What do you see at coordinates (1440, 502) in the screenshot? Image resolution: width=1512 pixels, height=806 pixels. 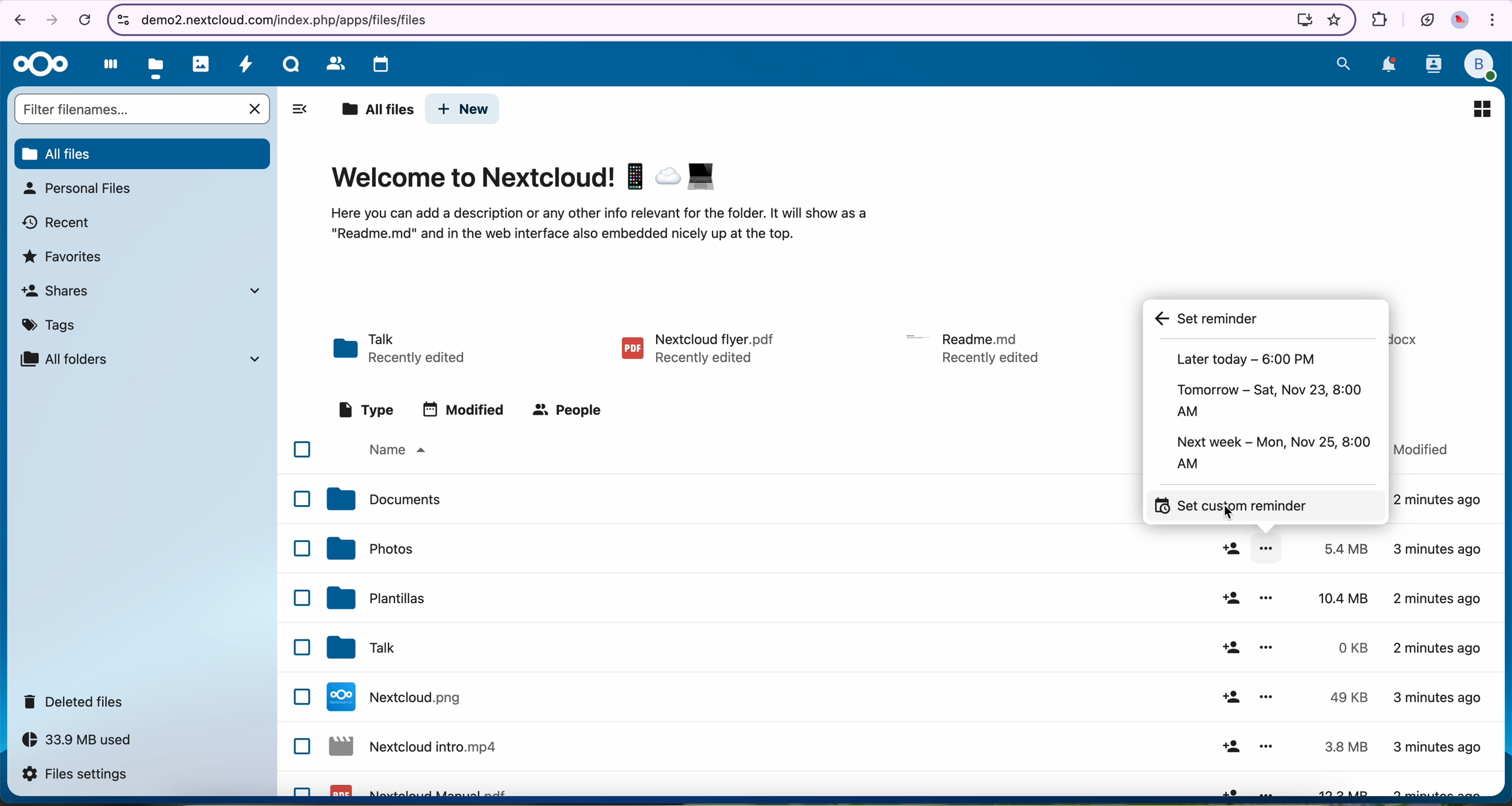 I see `2 minutes ago` at bounding box center [1440, 502].